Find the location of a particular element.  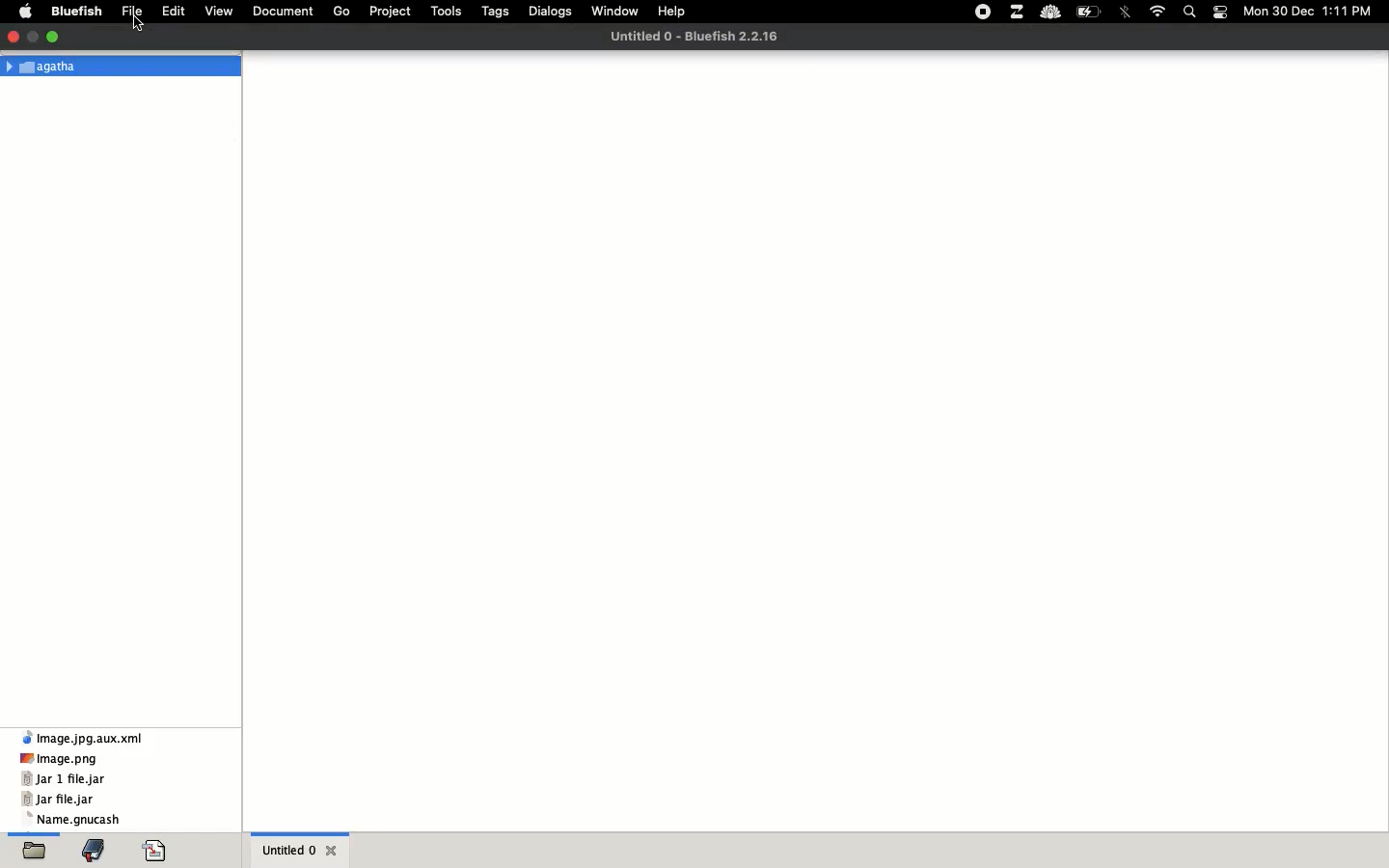

cursor is located at coordinates (140, 24).